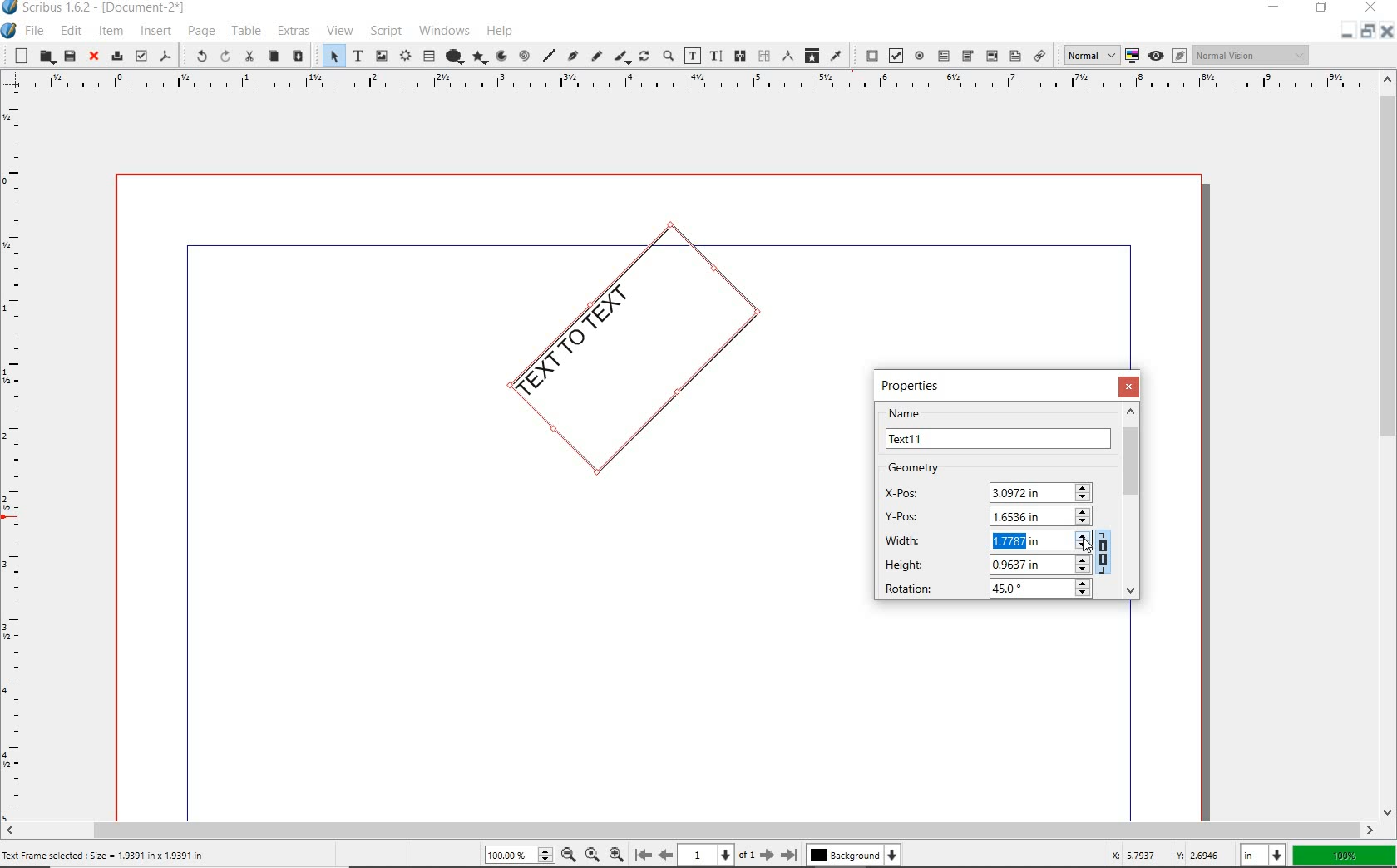 Image resolution: width=1397 pixels, height=868 pixels. I want to click on GEOMETRY, so click(927, 468).